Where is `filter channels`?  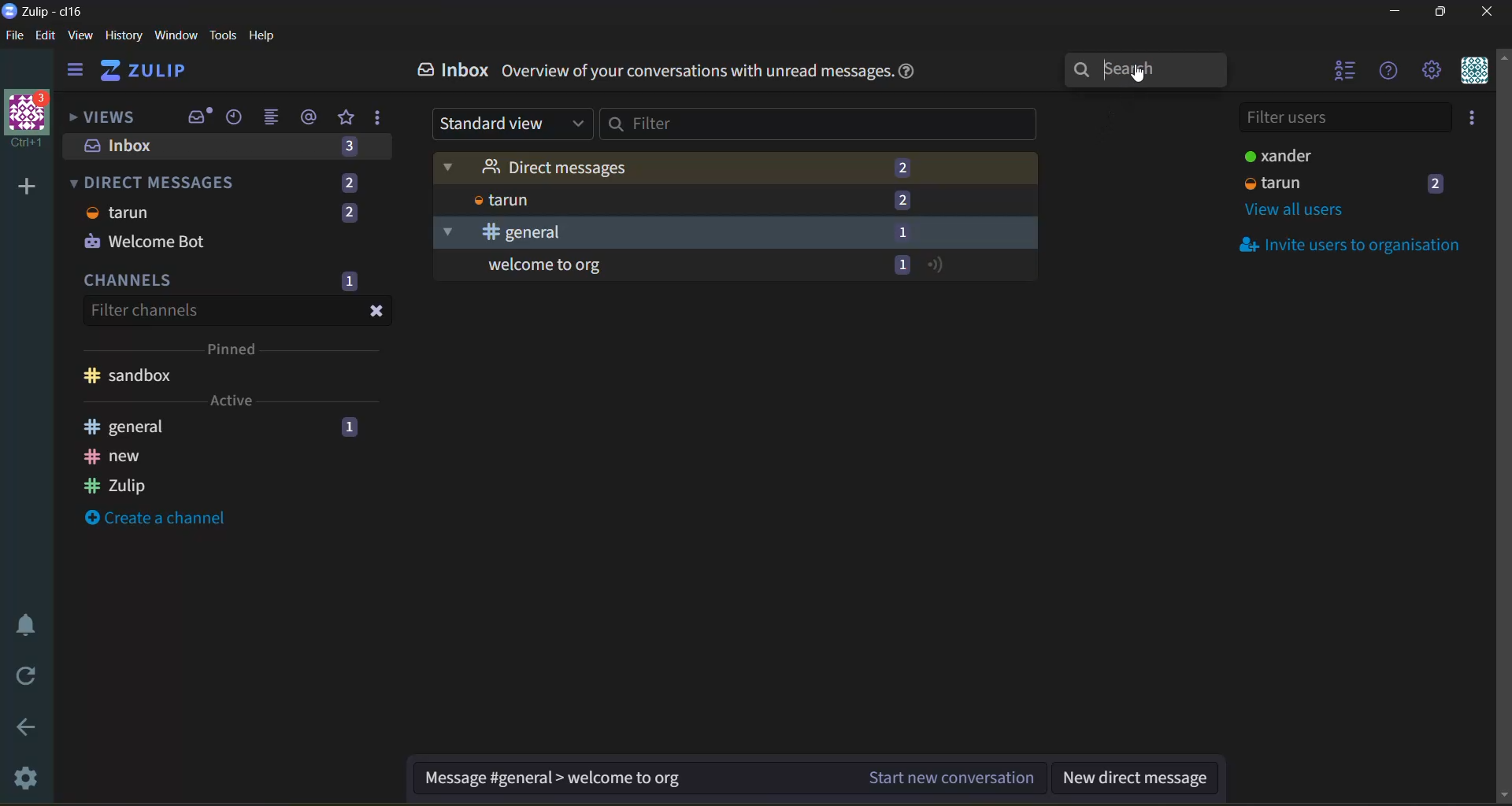 filter channels is located at coordinates (146, 312).